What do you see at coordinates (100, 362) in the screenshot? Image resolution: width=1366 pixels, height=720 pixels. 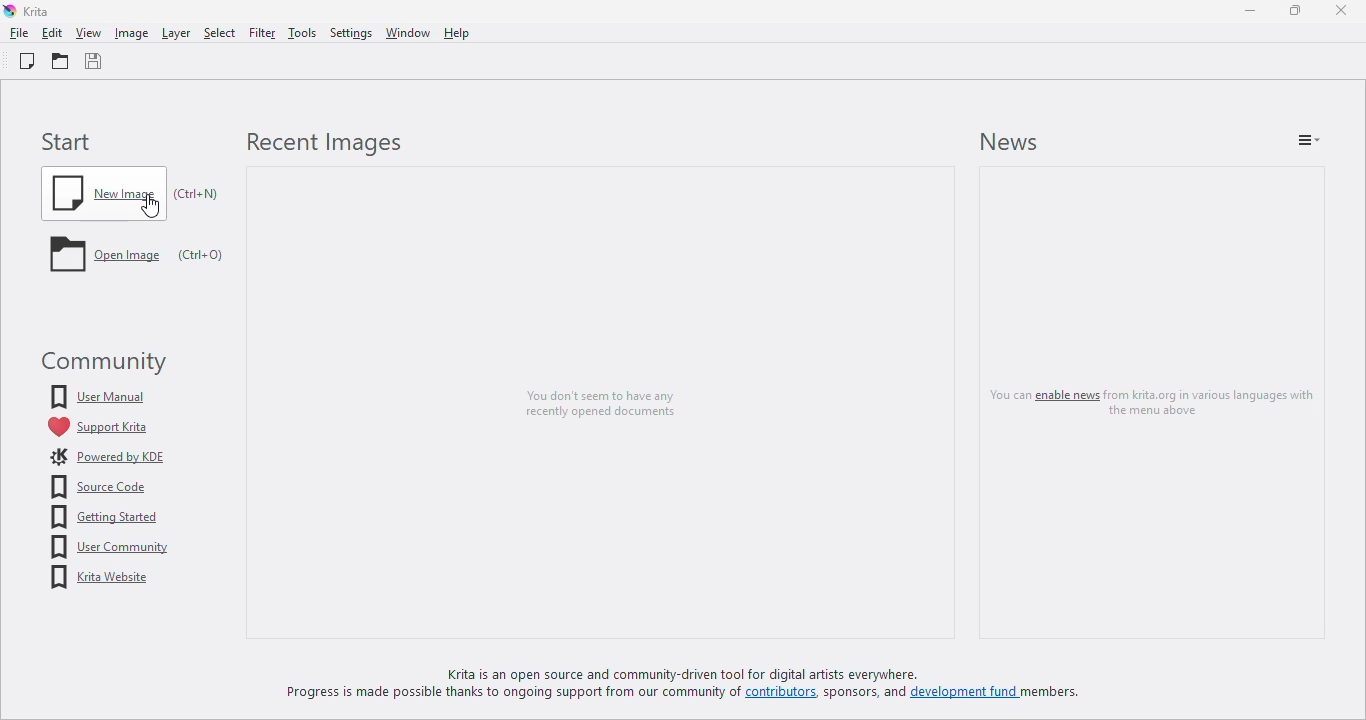 I see `community` at bounding box center [100, 362].